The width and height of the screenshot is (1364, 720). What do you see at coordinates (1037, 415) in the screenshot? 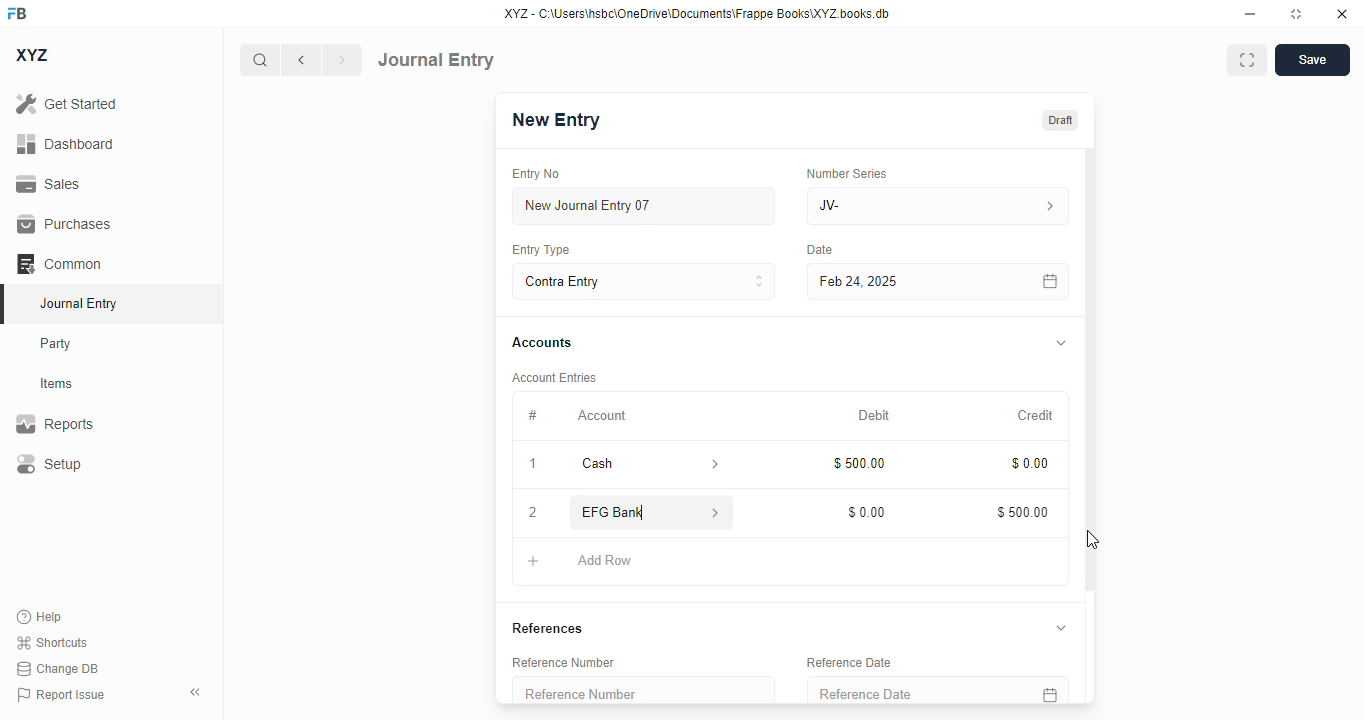
I see `credit` at bounding box center [1037, 415].